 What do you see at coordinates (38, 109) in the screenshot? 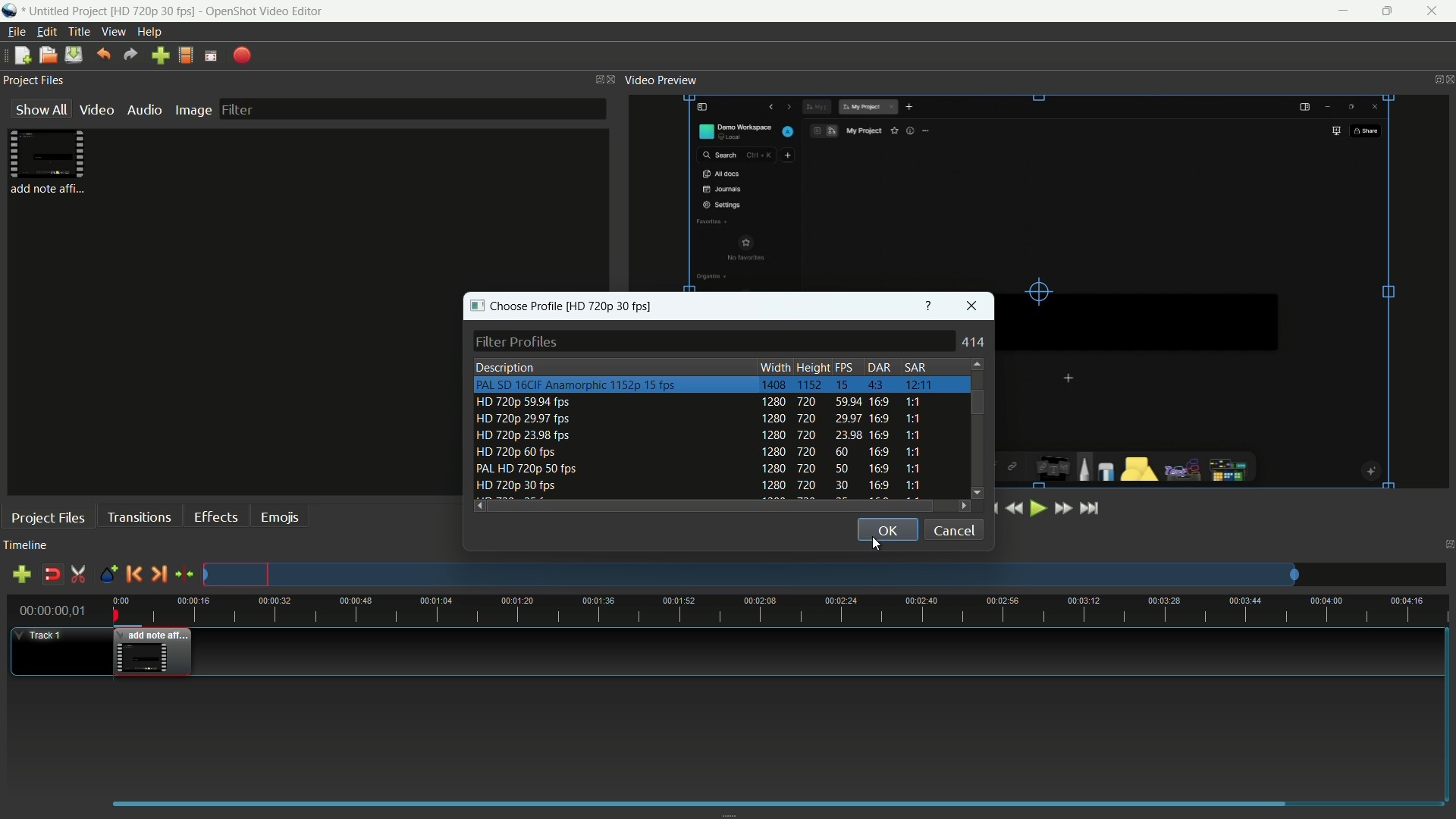
I see `show all` at bounding box center [38, 109].